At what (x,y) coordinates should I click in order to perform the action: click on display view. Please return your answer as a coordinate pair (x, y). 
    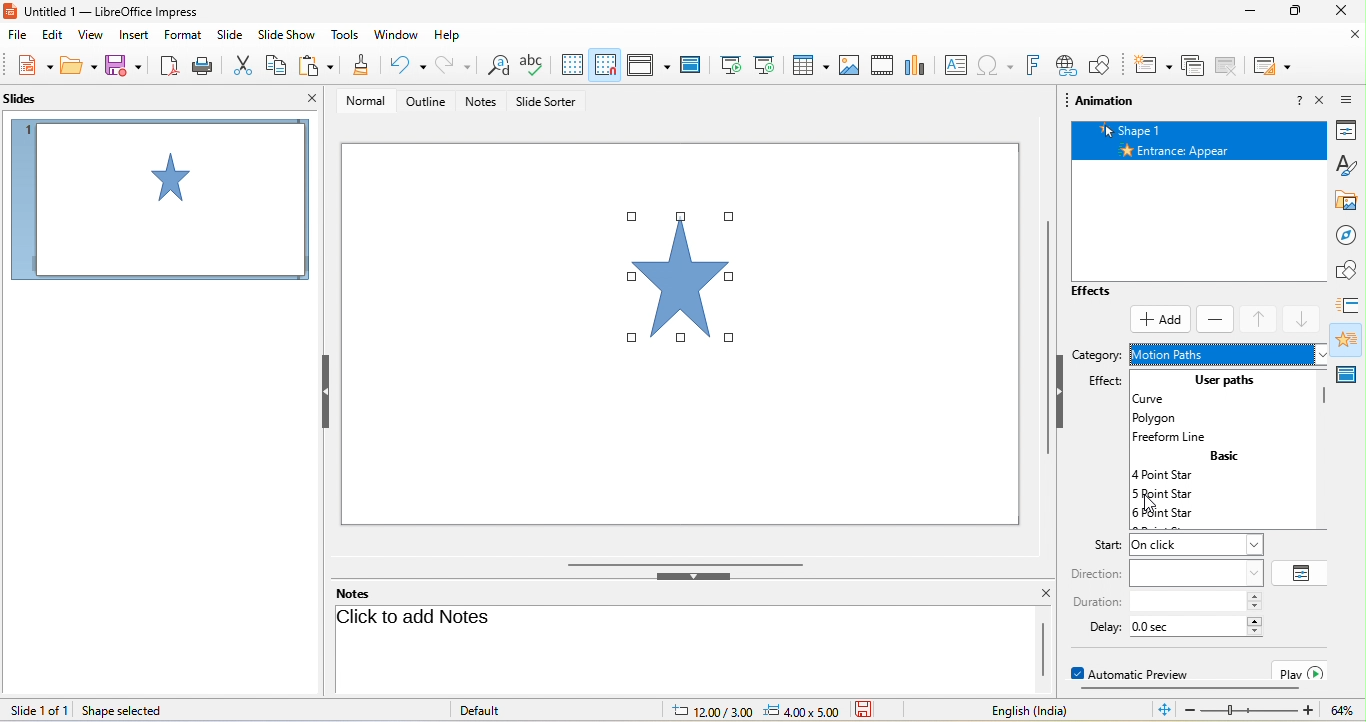
    Looking at the image, I should click on (646, 64).